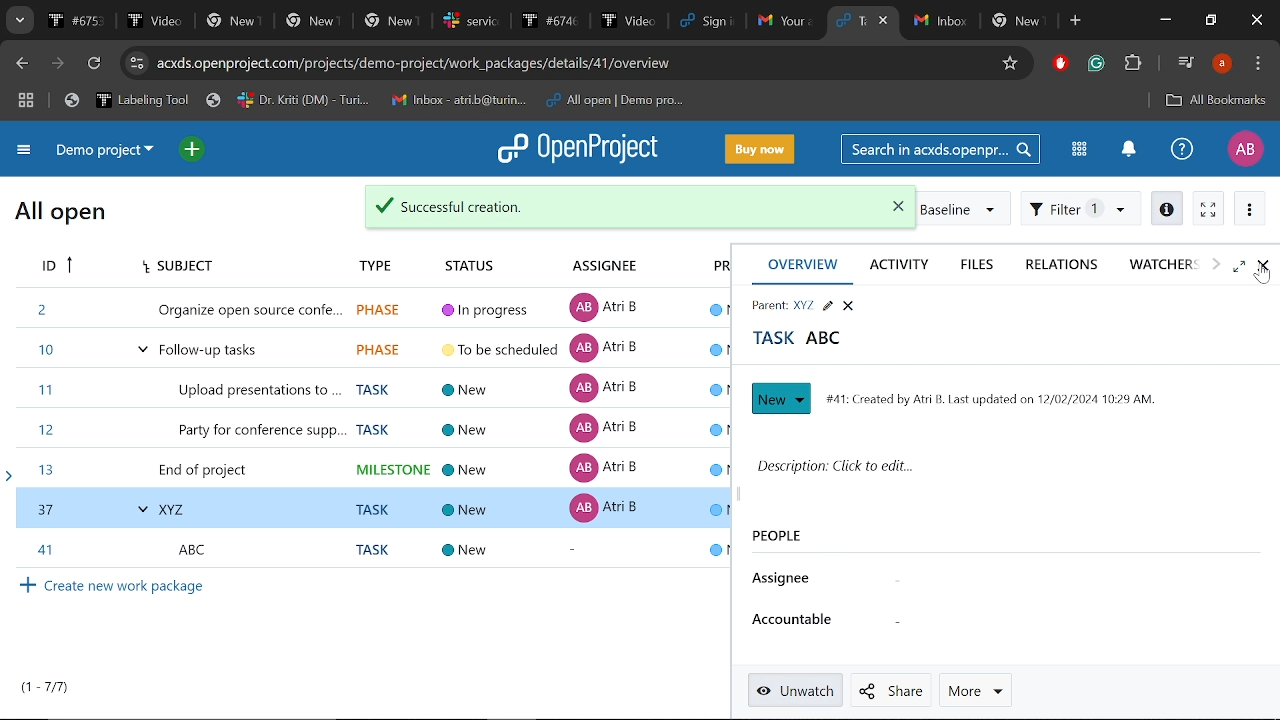  What do you see at coordinates (27, 102) in the screenshot?
I see `Tab group` at bounding box center [27, 102].